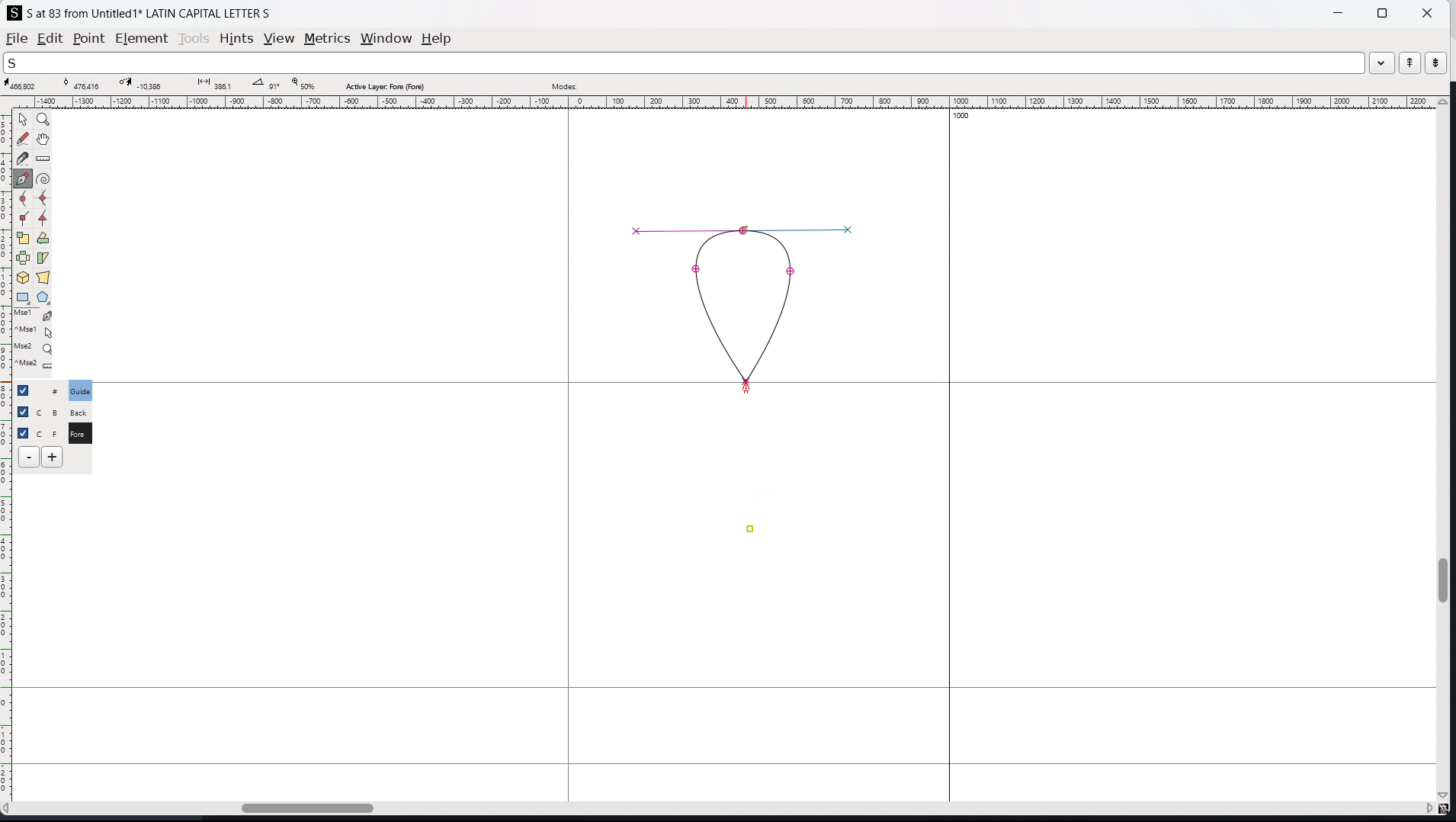 Image resolution: width=1456 pixels, height=822 pixels. I want to click on rotate selection, so click(43, 239).